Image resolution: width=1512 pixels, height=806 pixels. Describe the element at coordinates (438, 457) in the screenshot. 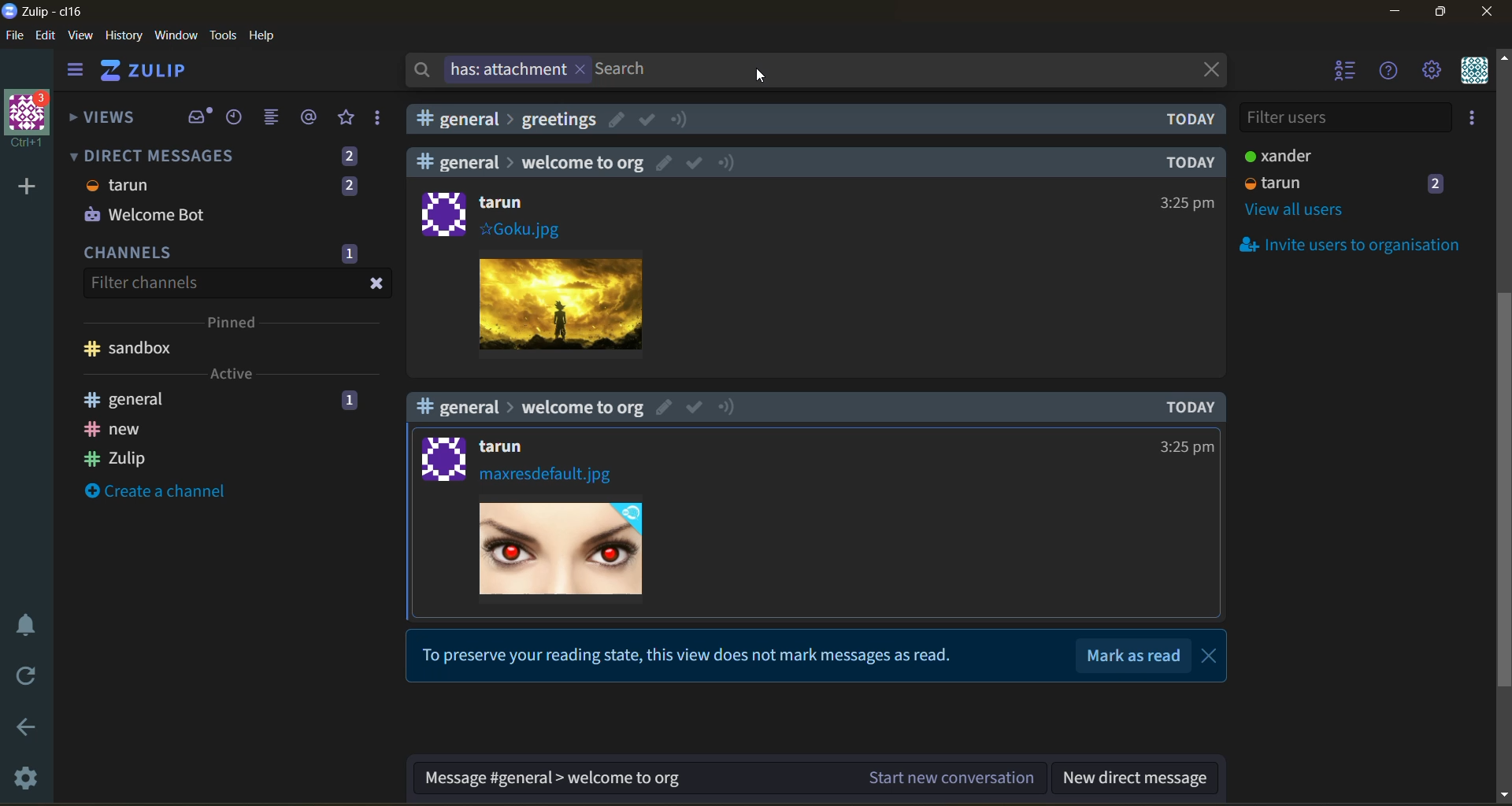

I see `logo` at that location.